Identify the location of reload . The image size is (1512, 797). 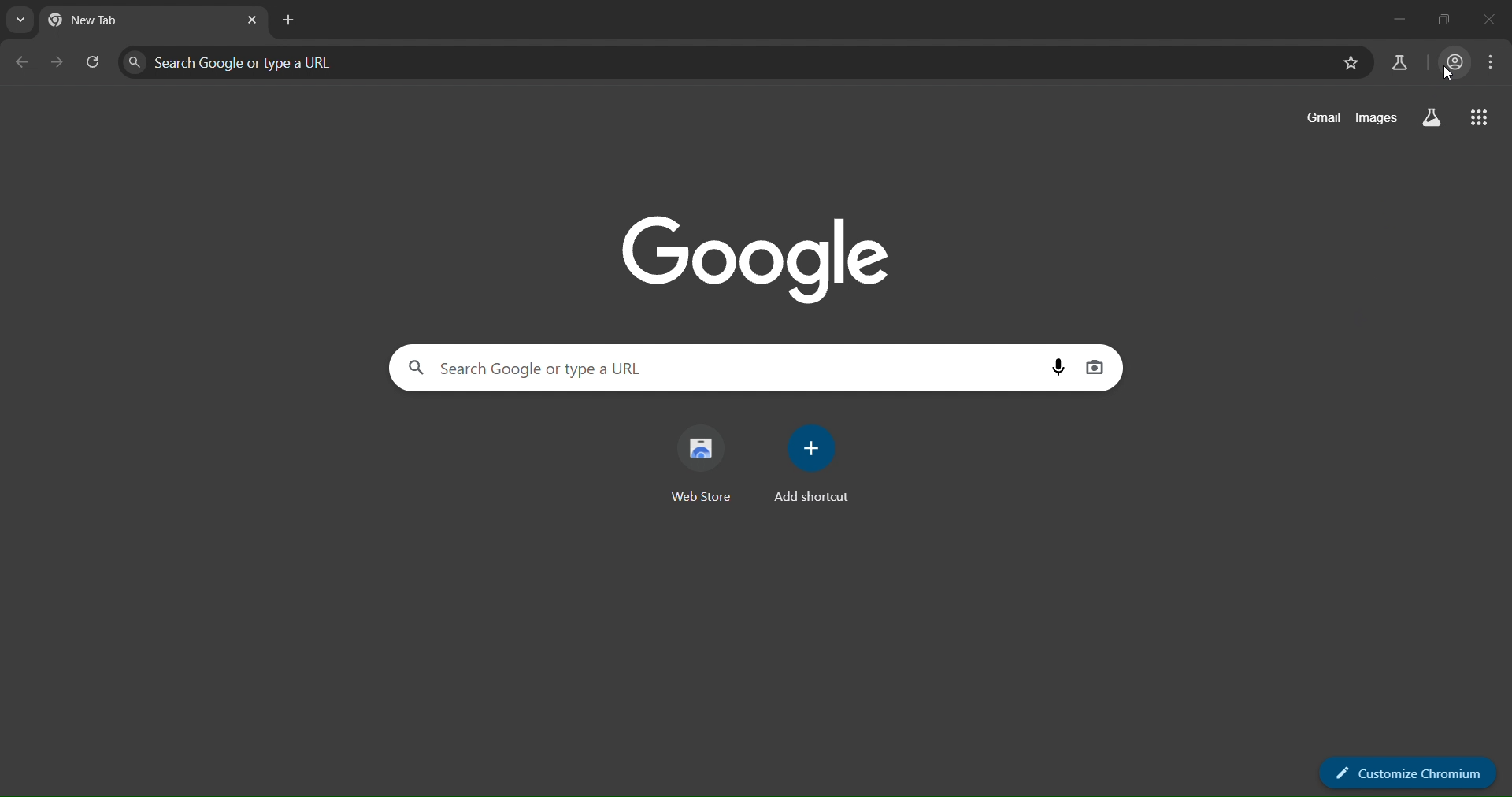
(54, 61).